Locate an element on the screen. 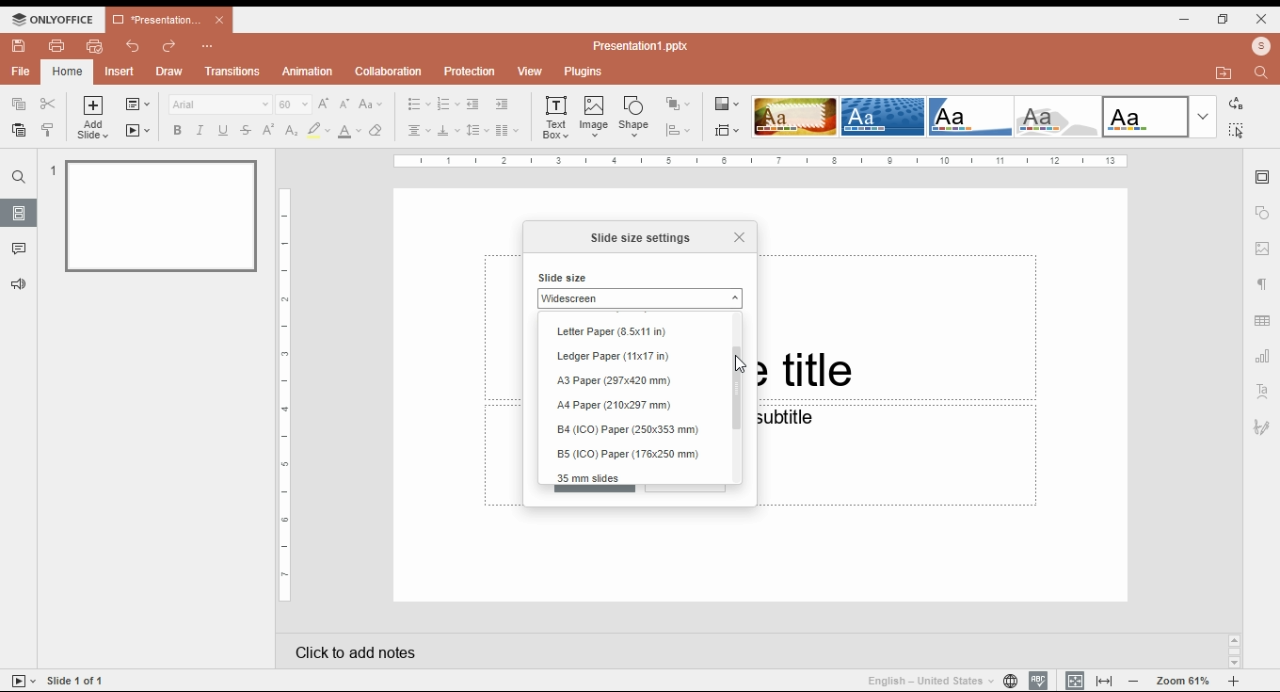  decrement font size is located at coordinates (345, 103).